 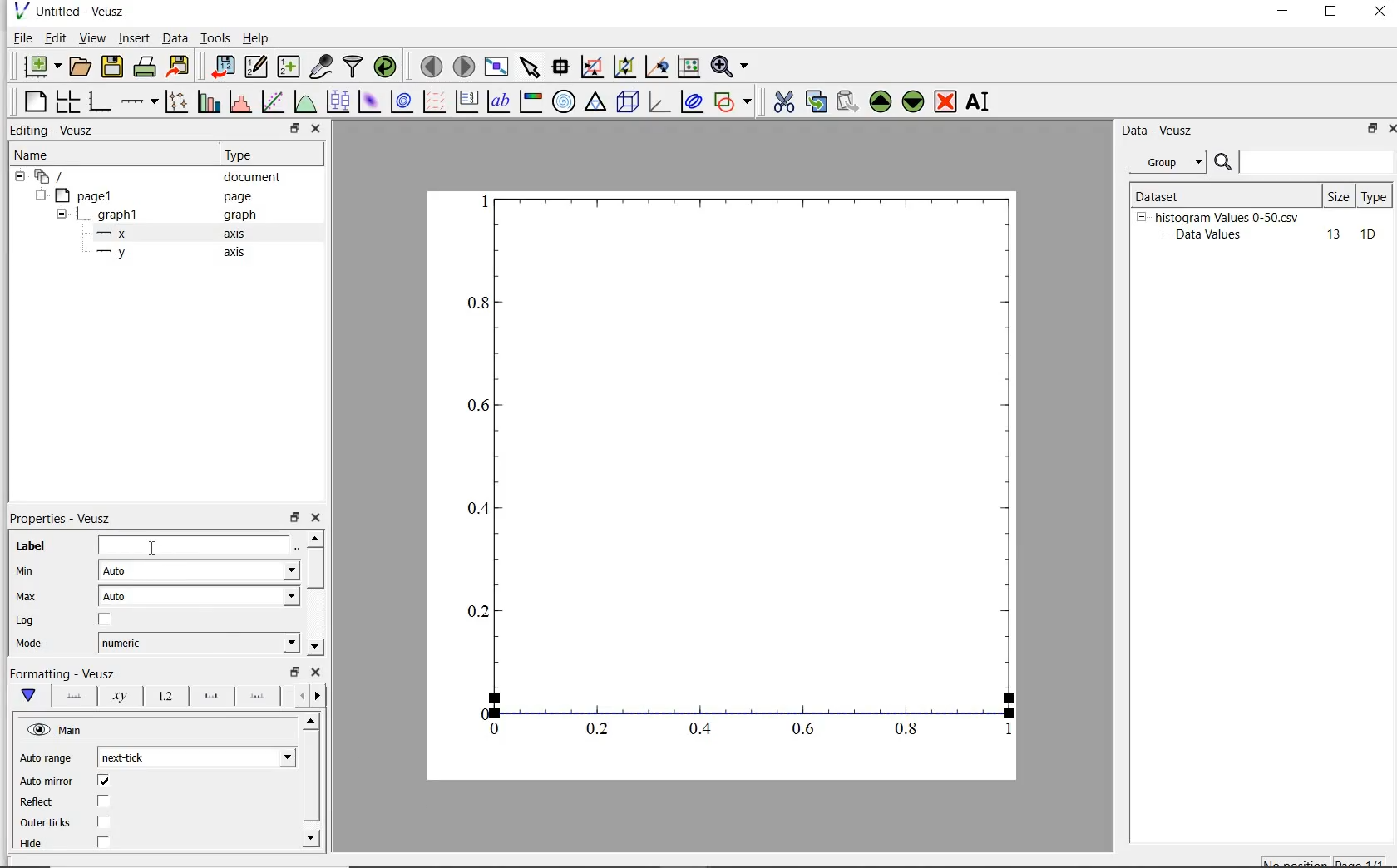 I want to click on capture remote data, so click(x=321, y=67).